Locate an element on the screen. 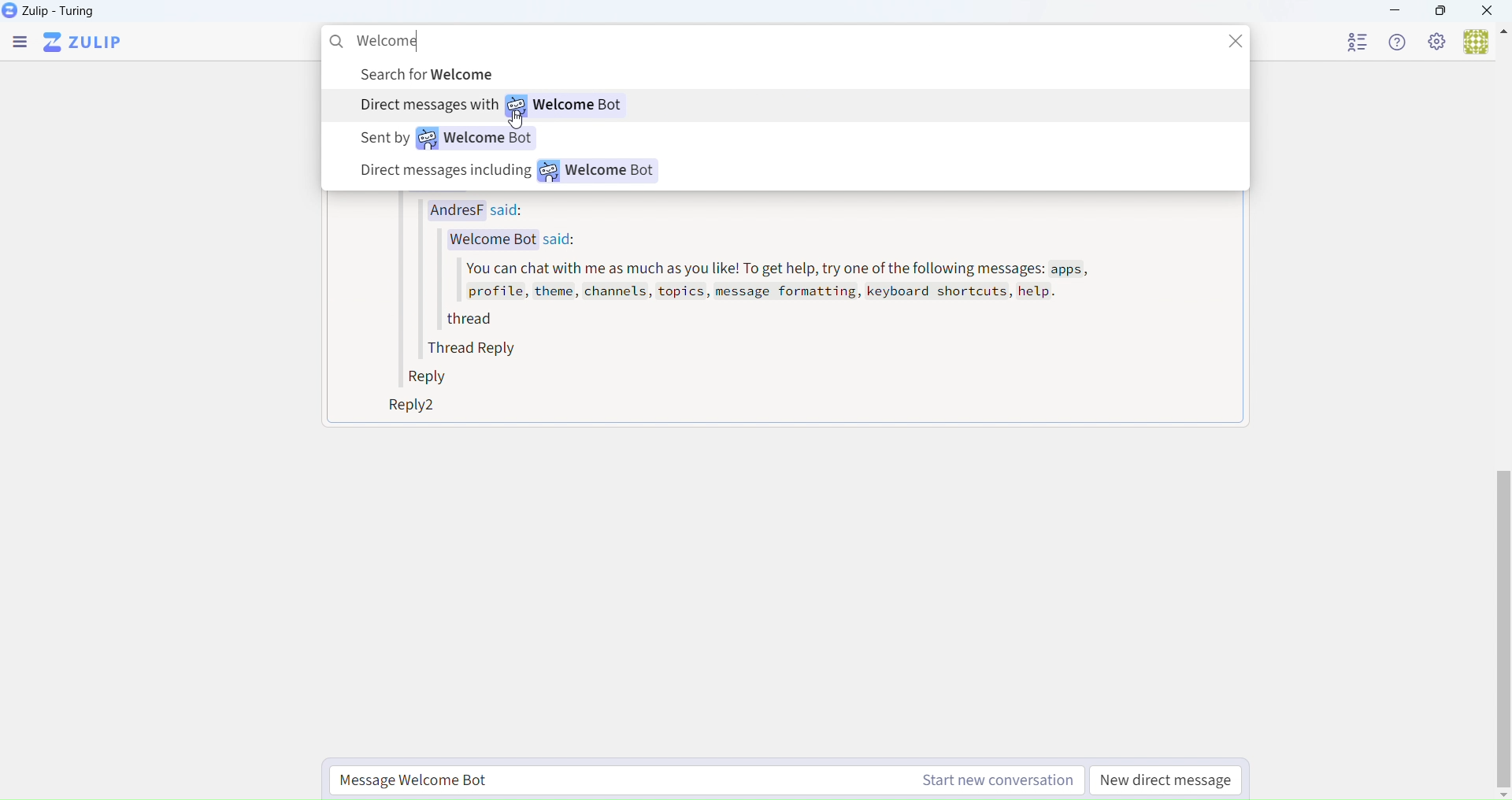 The image size is (1512, 800). Direct messages including Welcome Bot is located at coordinates (510, 173).